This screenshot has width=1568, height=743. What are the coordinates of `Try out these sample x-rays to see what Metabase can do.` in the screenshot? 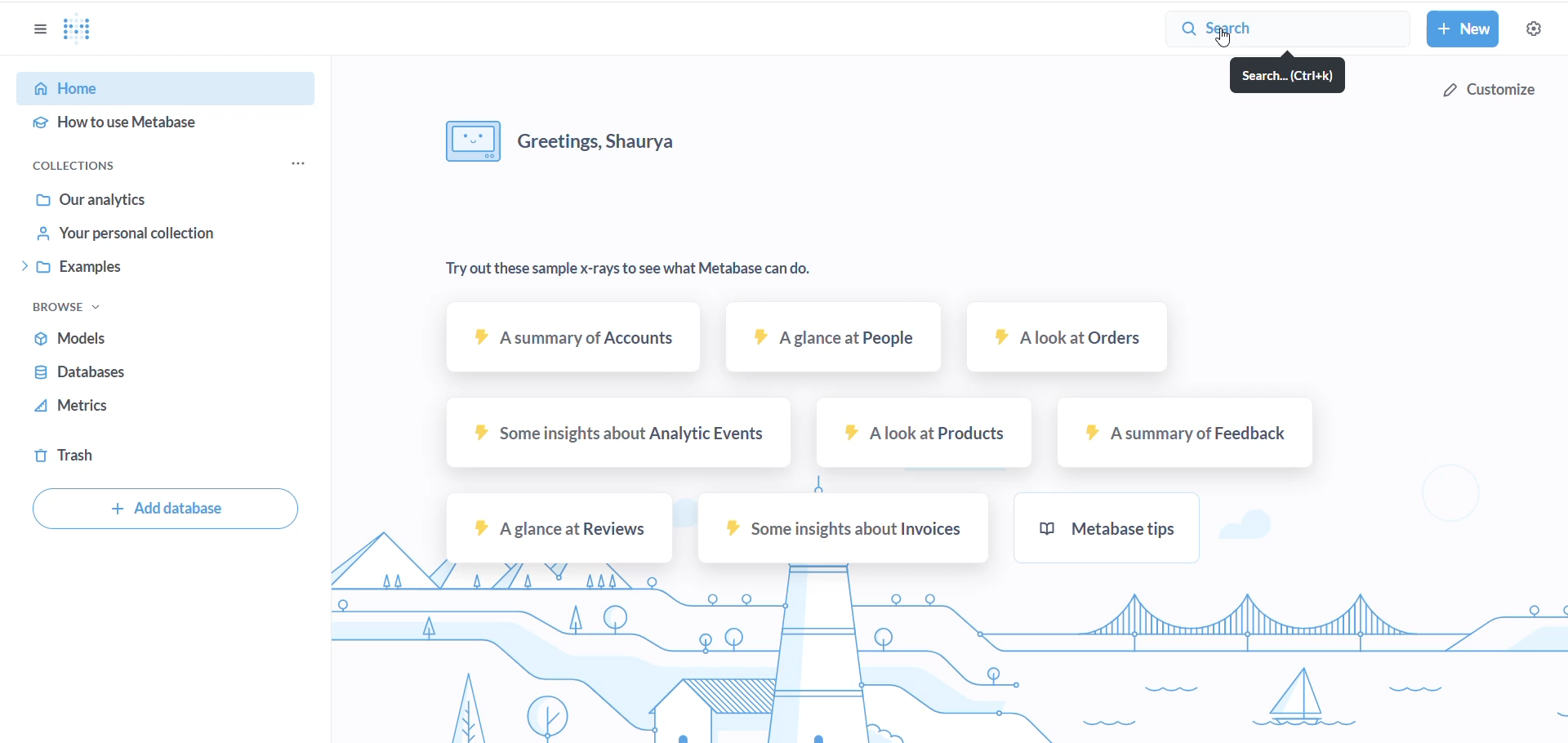 It's located at (675, 264).